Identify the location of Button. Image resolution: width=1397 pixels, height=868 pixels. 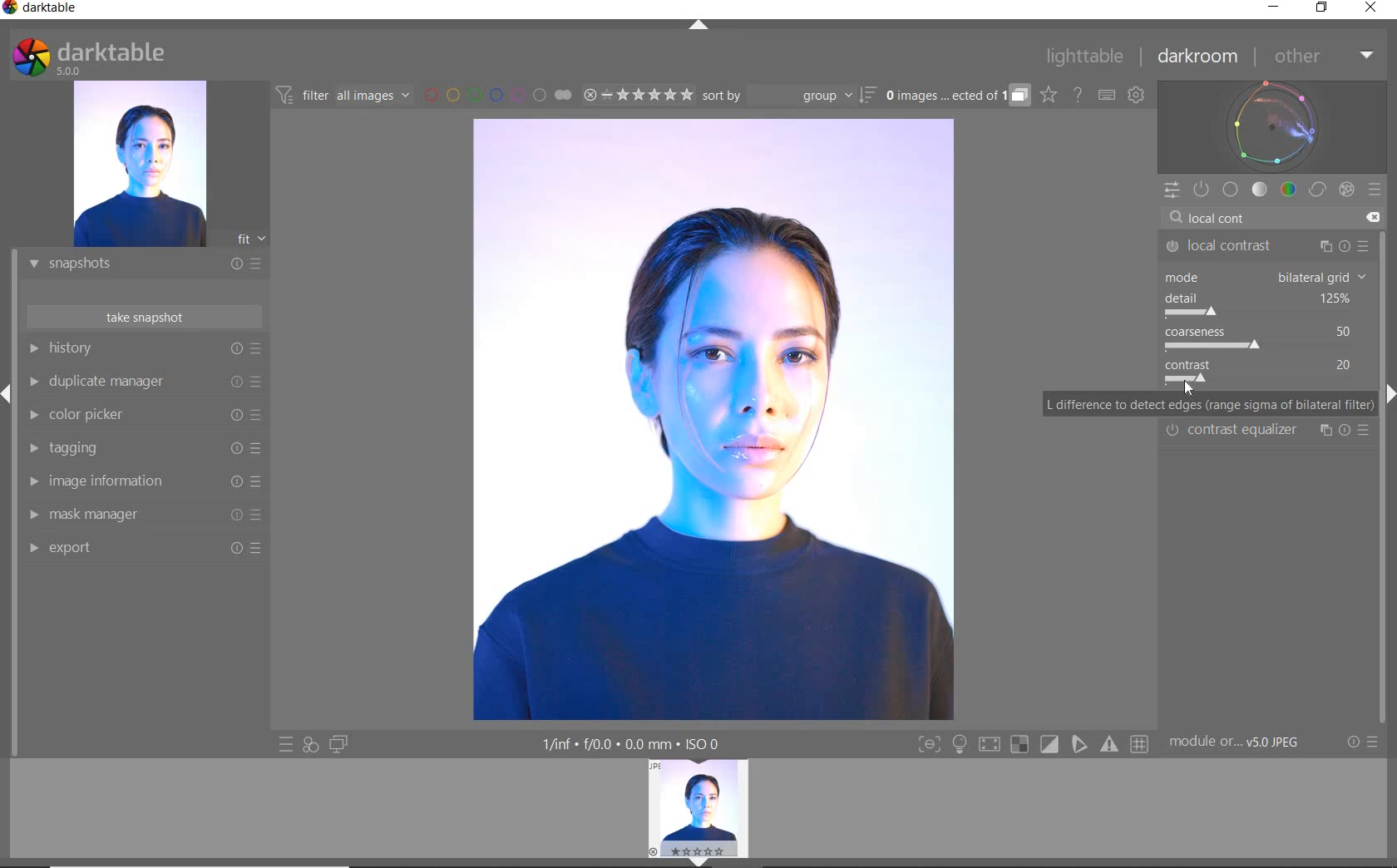
(1141, 745).